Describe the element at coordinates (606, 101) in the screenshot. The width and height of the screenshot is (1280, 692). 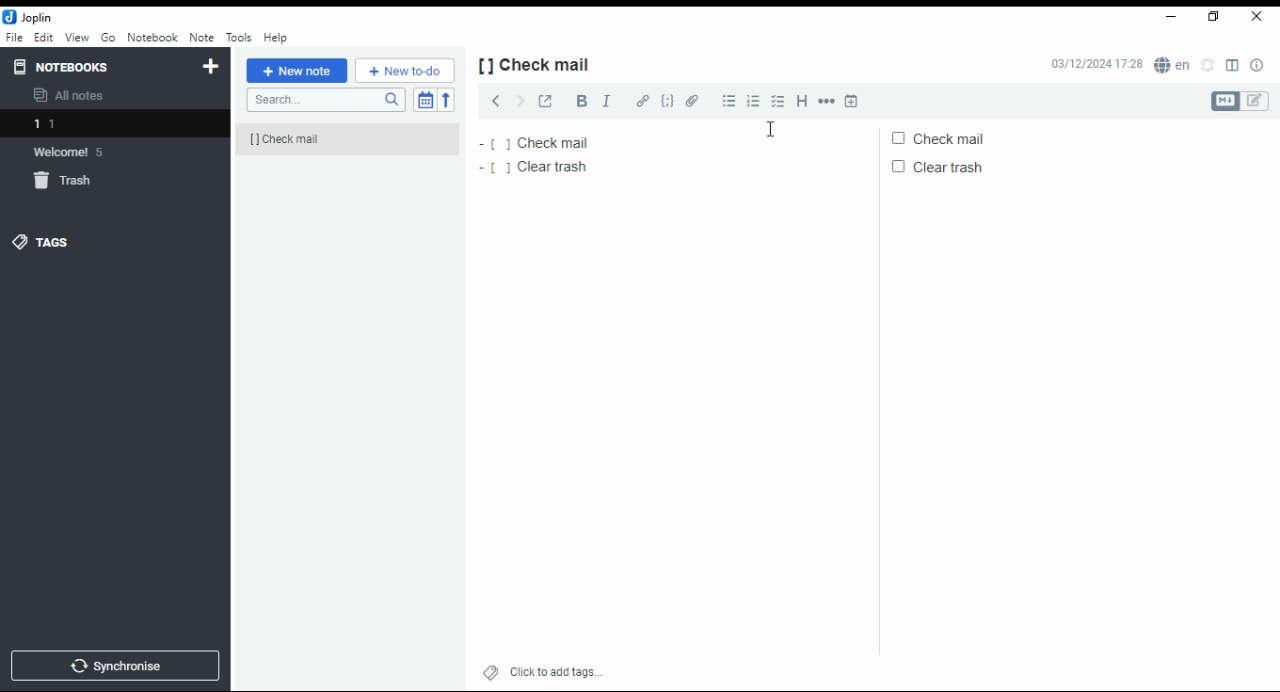
I see `italics` at that location.